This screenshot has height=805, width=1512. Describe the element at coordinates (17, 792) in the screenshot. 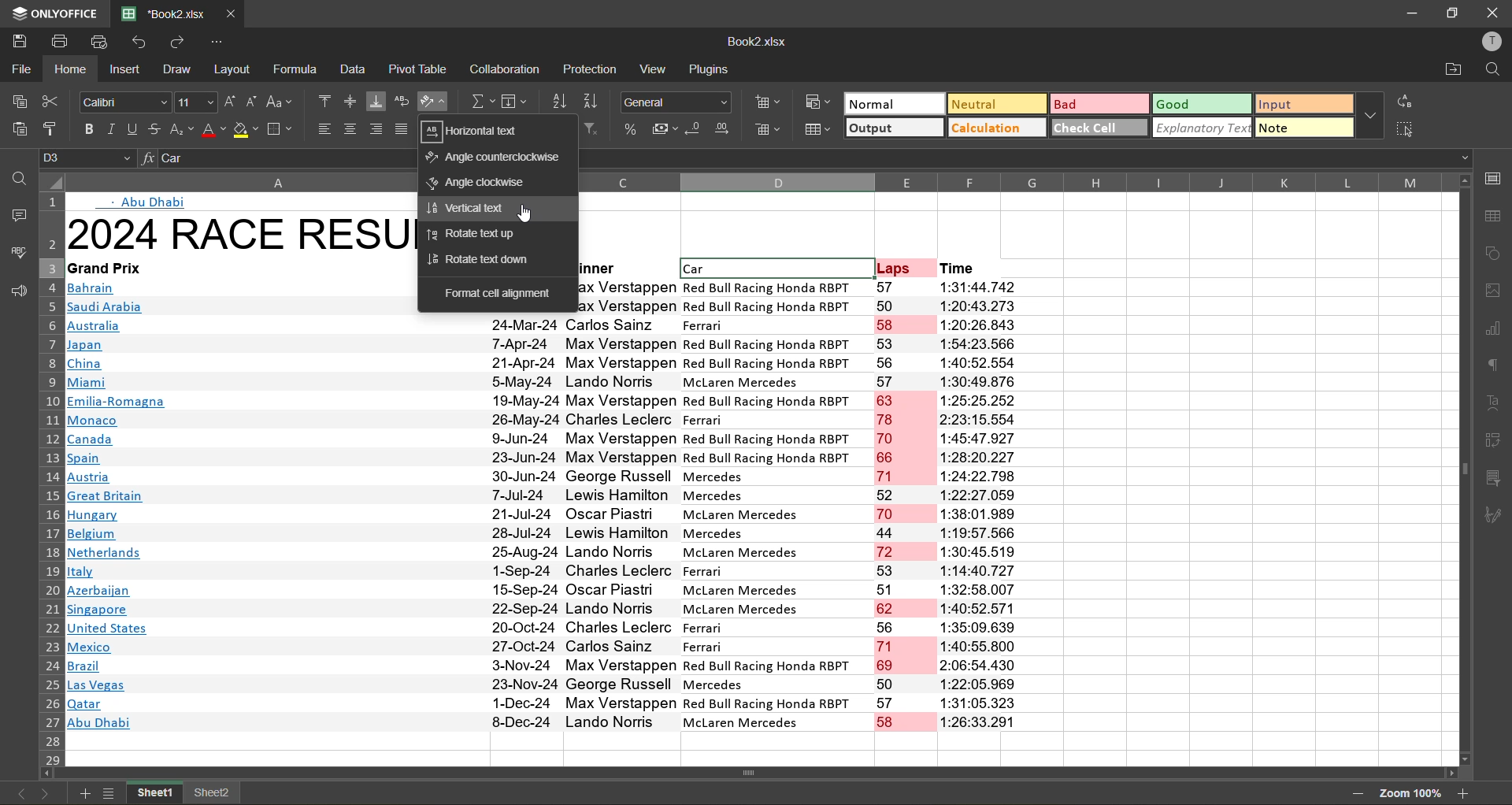

I see `previous` at that location.